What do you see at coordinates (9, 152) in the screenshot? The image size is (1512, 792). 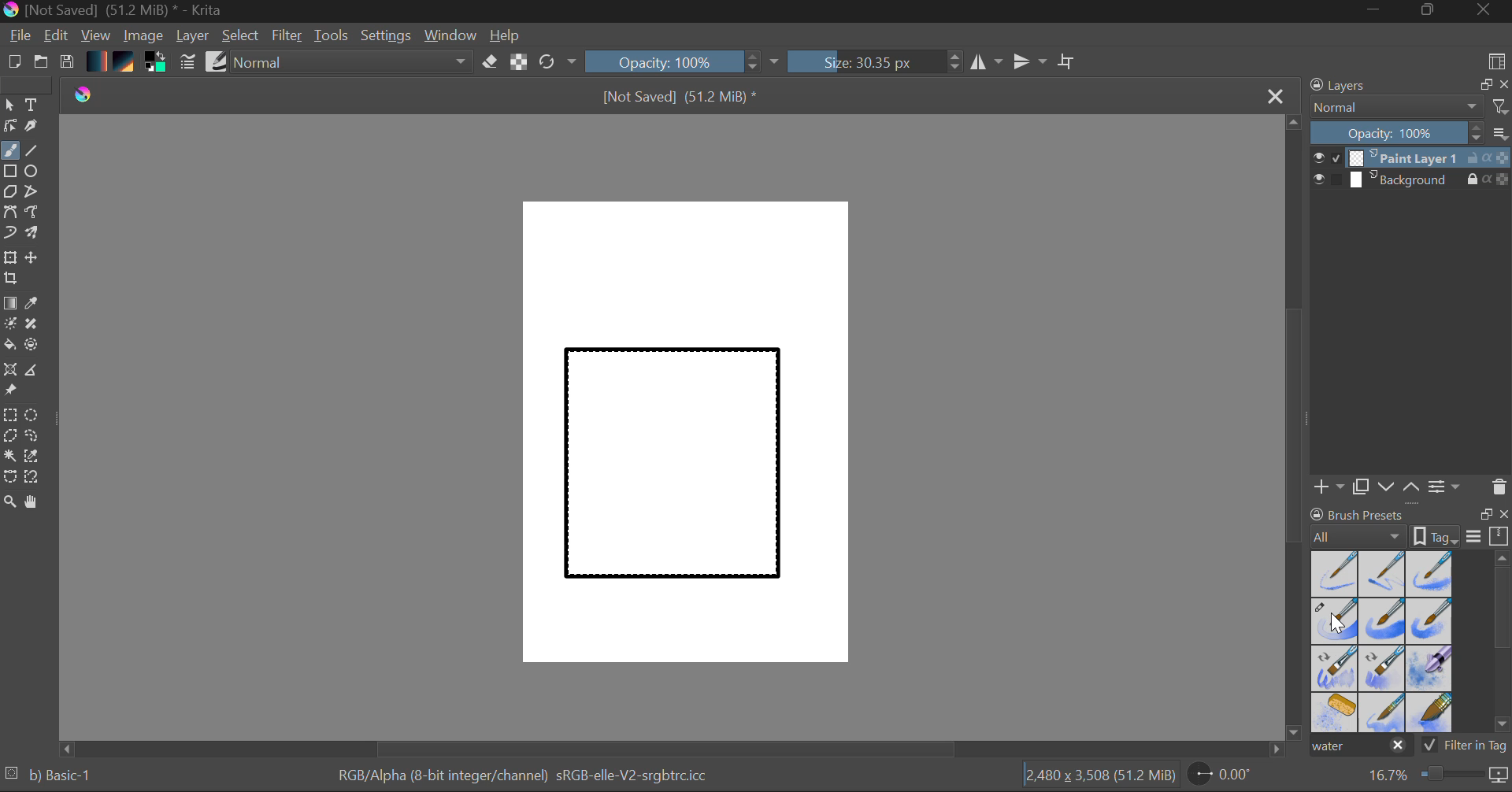 I see `Paintbrush` at bounding box center [9, 152].